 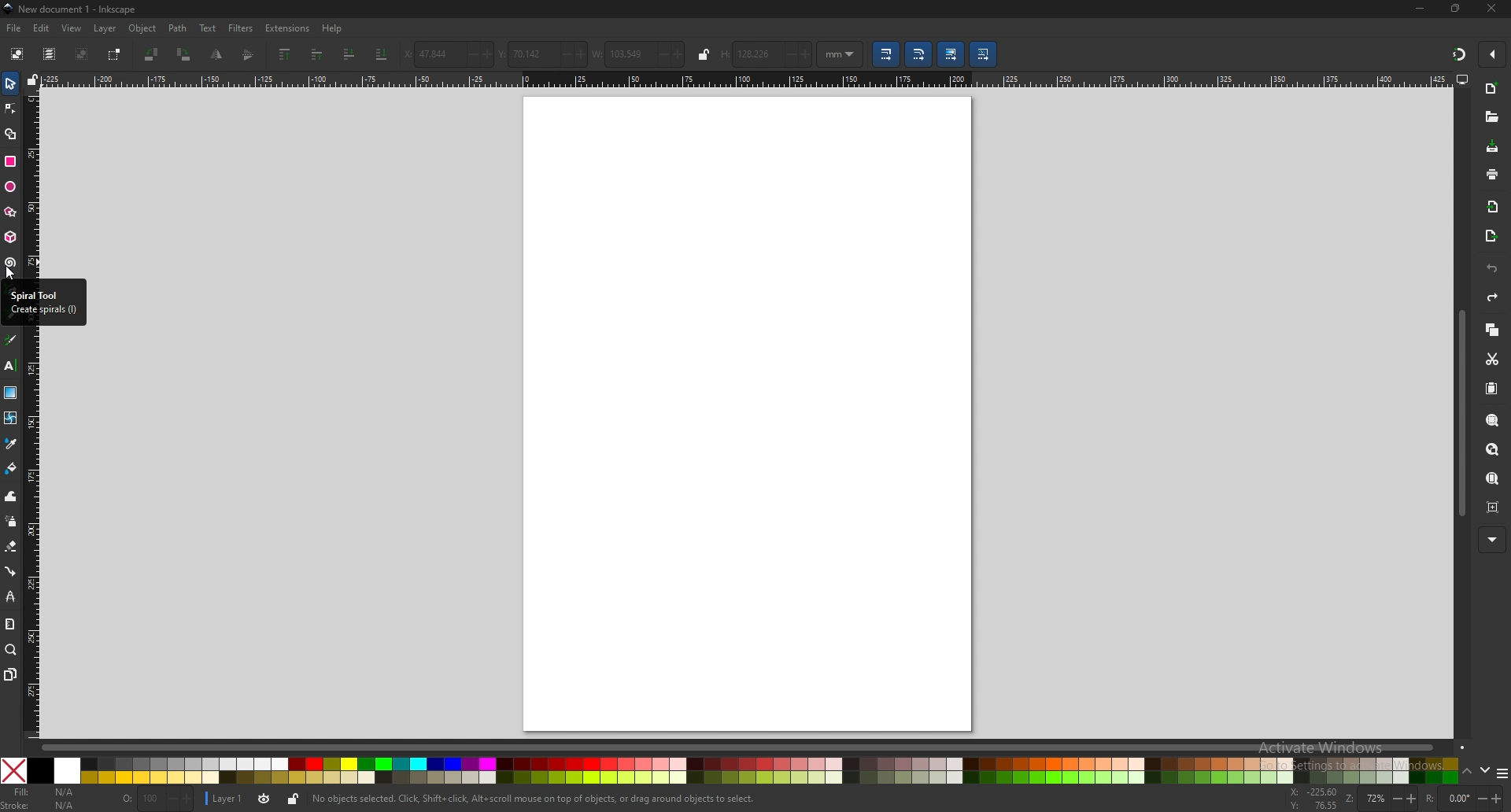 What do you see at coordinates (1494, 297) in the screenshot?
I see `redo` at bounding box center [1494, 297].